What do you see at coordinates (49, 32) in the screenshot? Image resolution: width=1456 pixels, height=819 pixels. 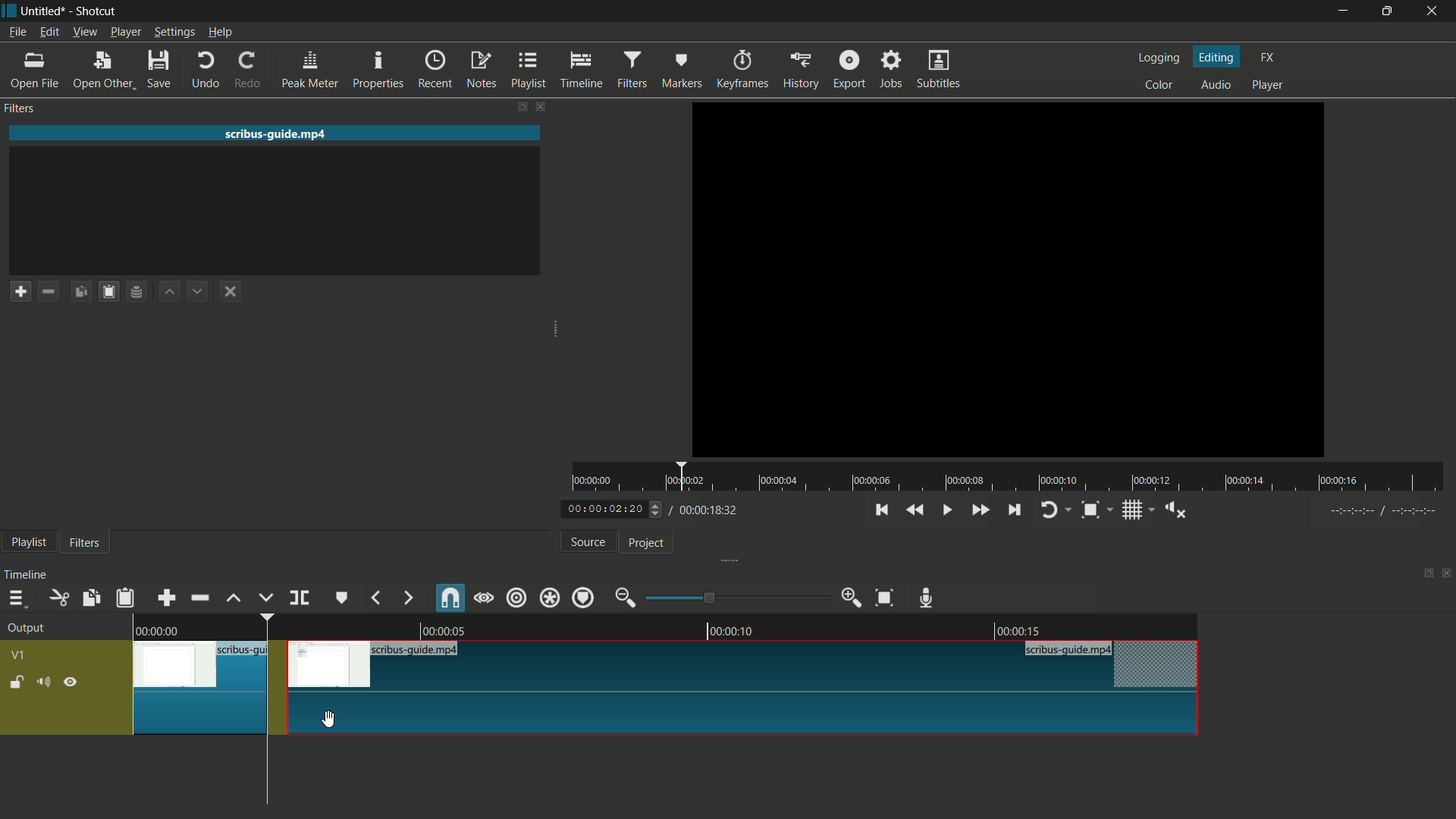 I see `edit menu` at bounding box center [49, 32].